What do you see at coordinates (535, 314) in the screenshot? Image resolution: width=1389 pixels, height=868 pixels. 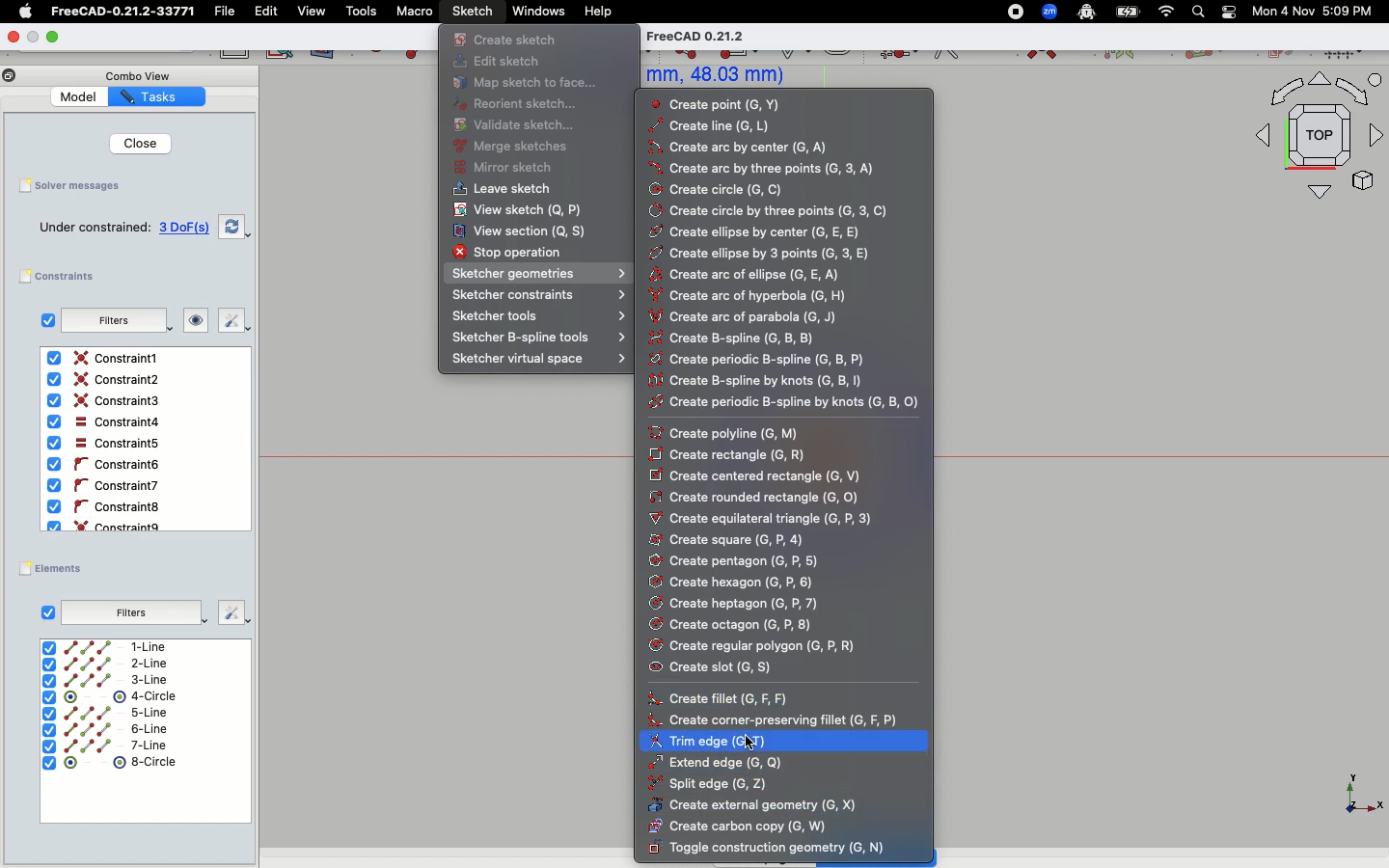 I see `Sketcher tools` at bounding box center [535, 314].